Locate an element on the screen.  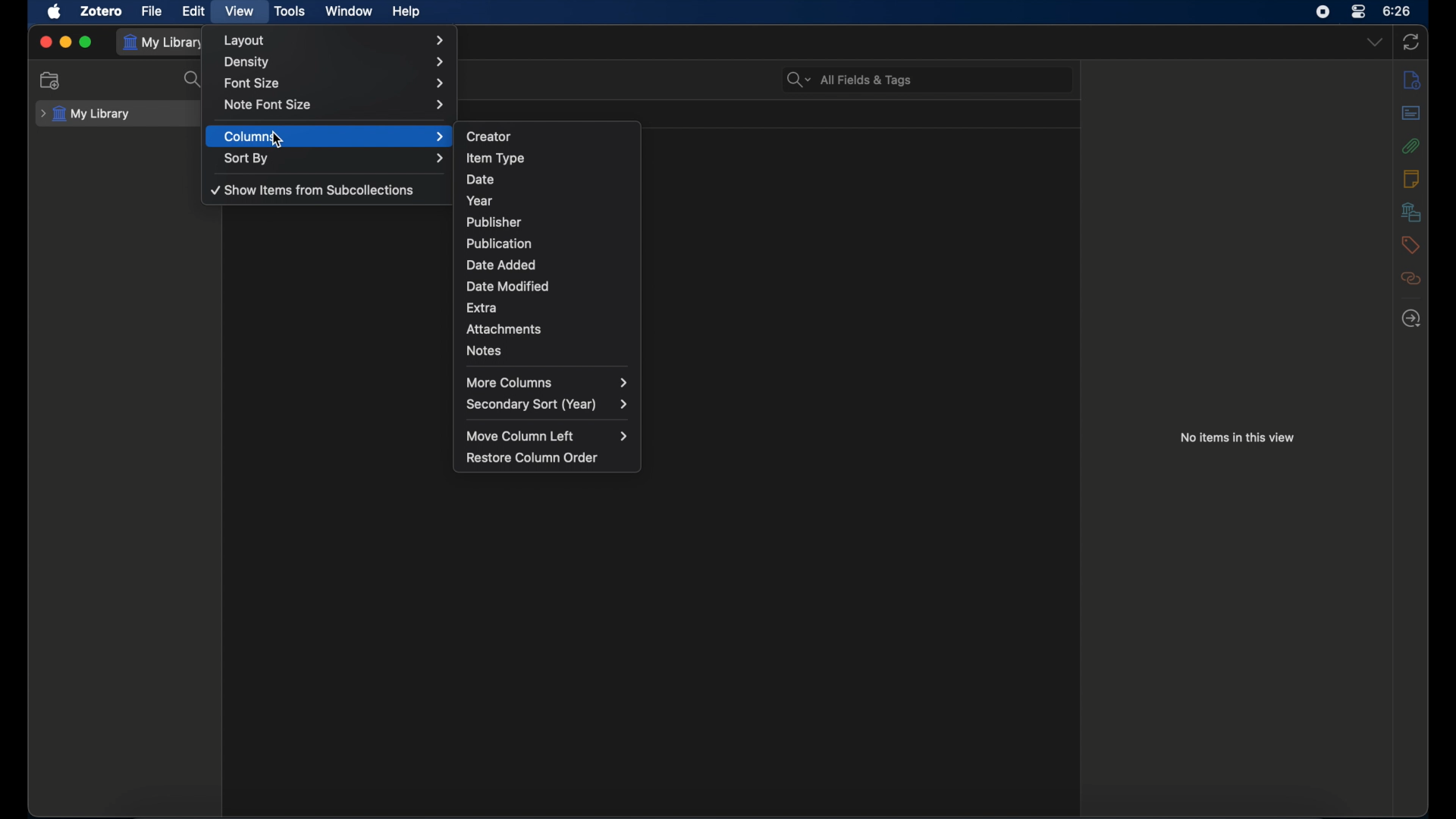
creator is located at coordinates (548, 136).